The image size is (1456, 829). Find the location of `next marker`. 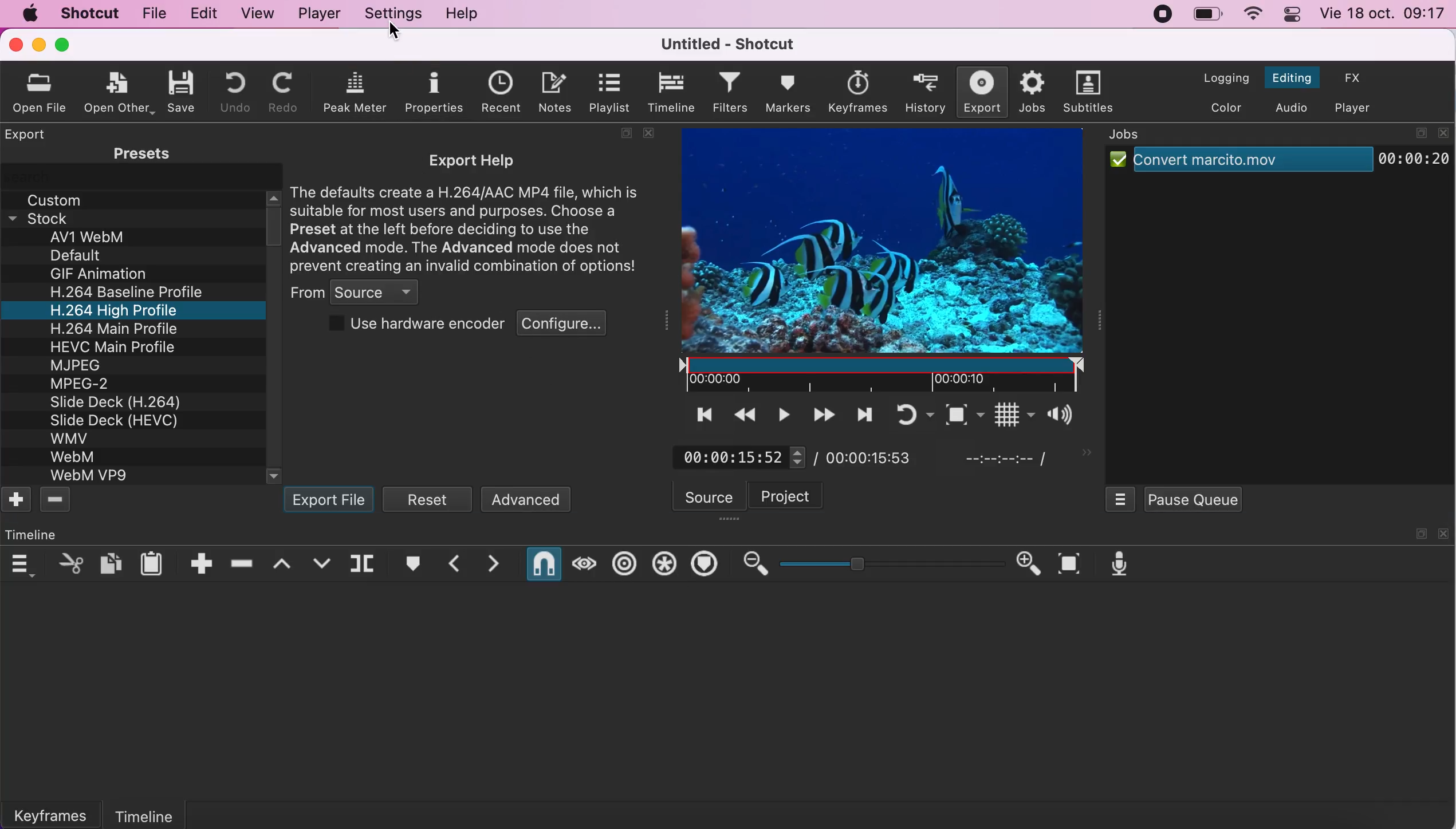

next marker is located at coordinates (494, 564).